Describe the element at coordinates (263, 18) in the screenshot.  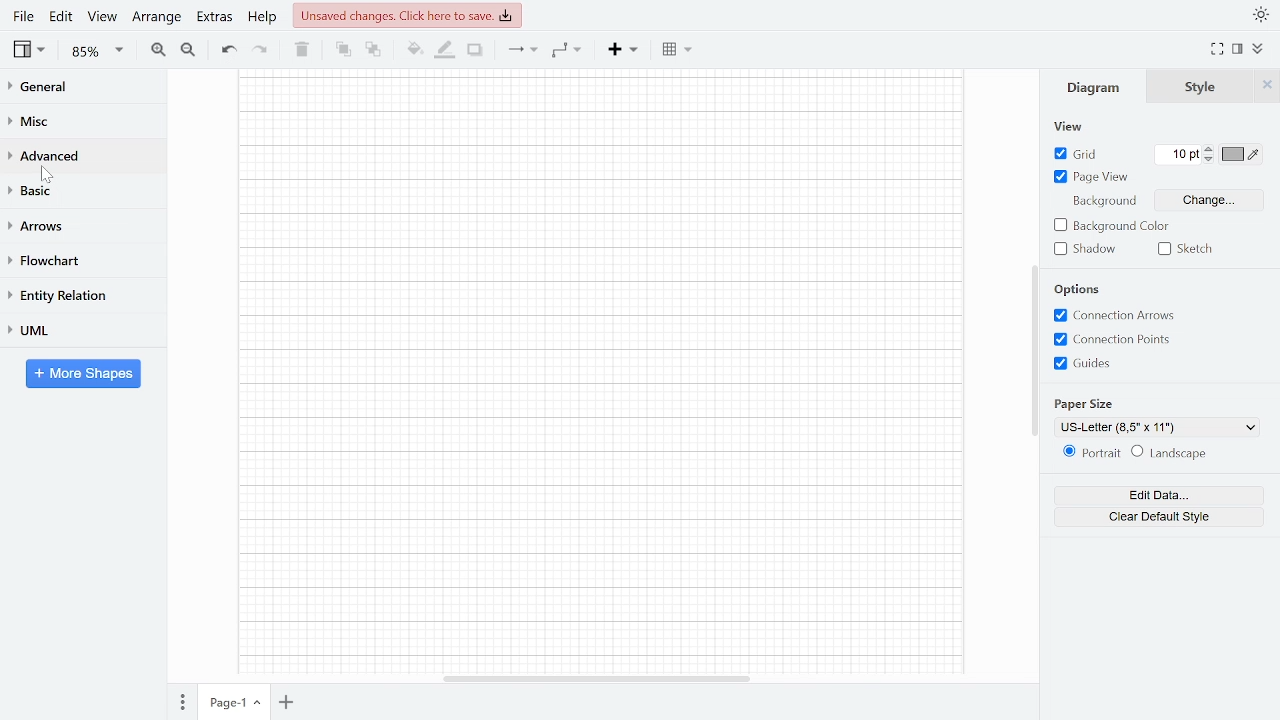
I see `Help` at that location.